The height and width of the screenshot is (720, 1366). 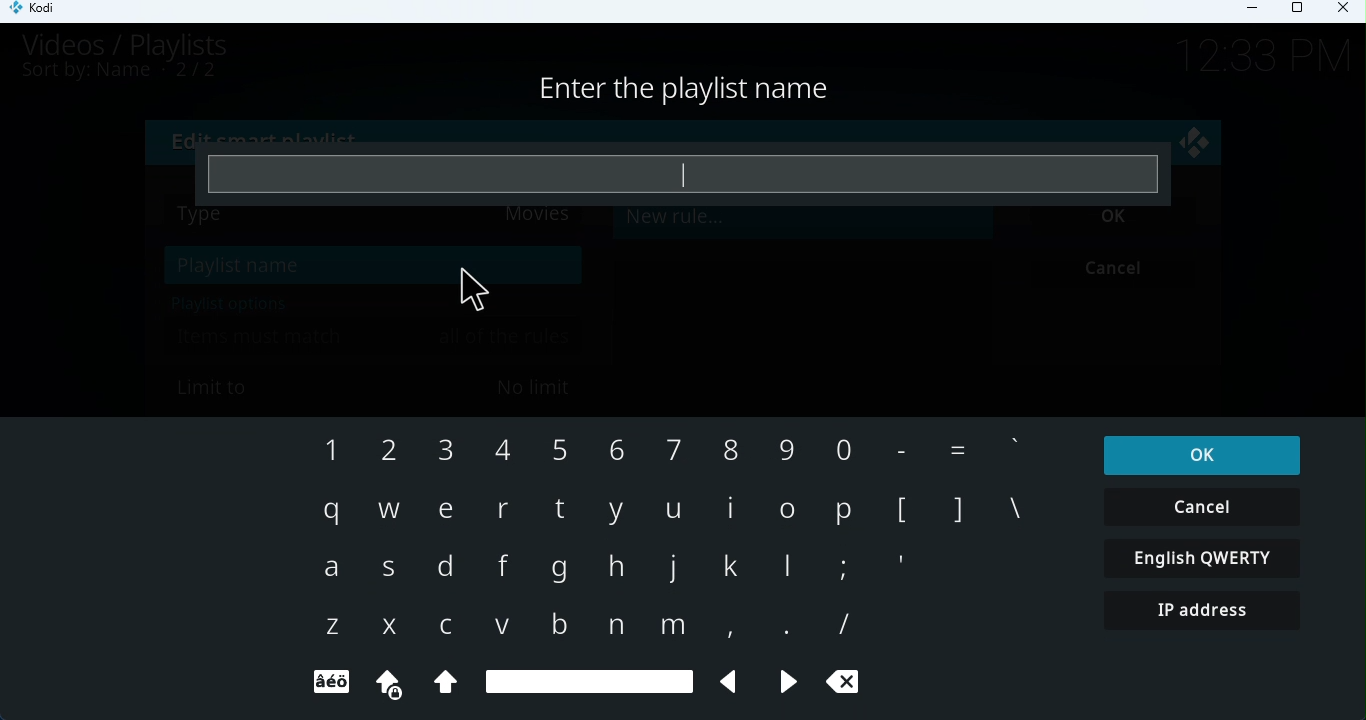 What do you see at coordinates (1255, 10) in the screenshot?
I see `Minimize` at bounding box center [1255, 10].